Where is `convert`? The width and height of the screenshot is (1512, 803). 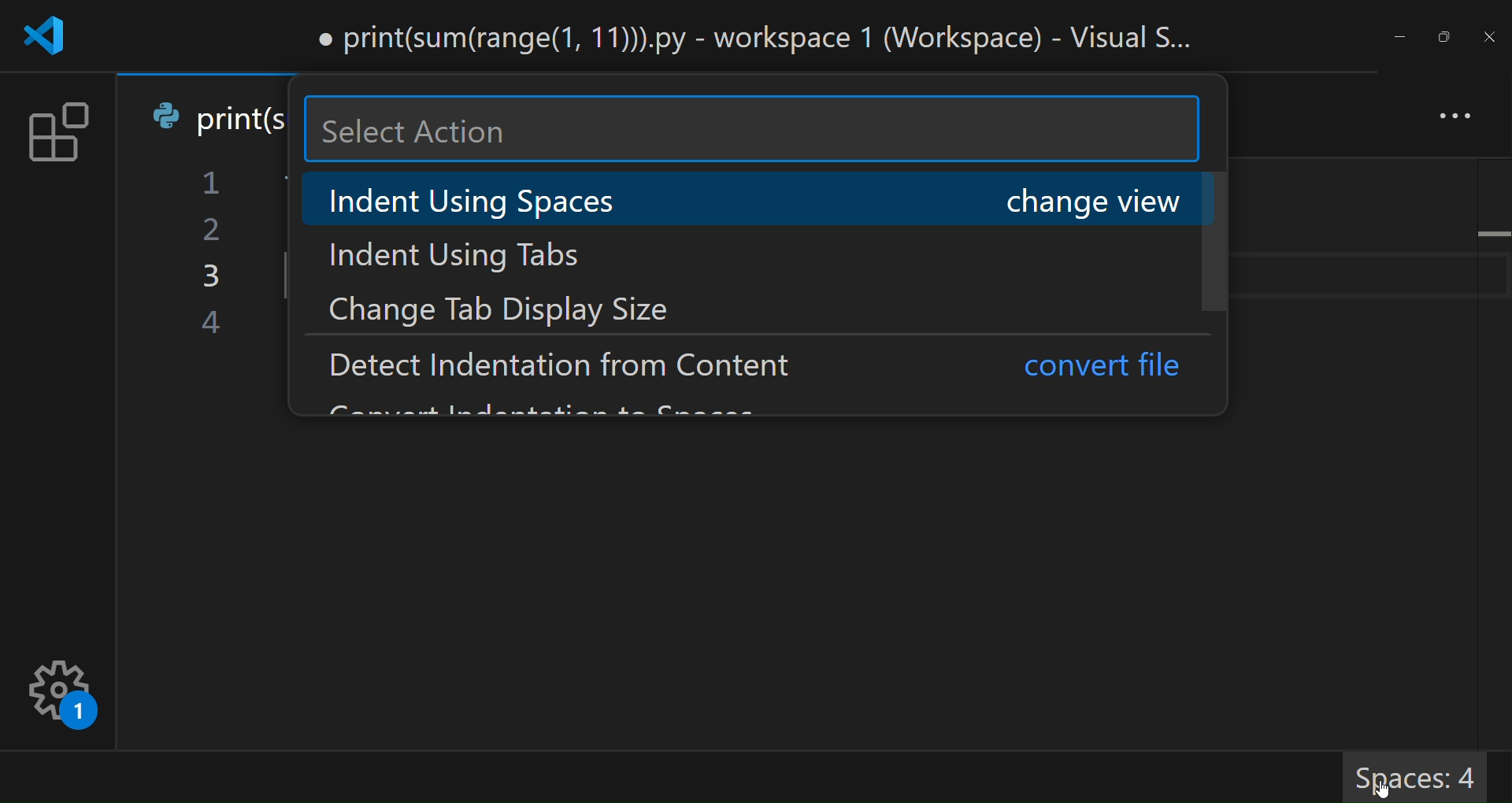 convert is located at coordinates (1108, 364).